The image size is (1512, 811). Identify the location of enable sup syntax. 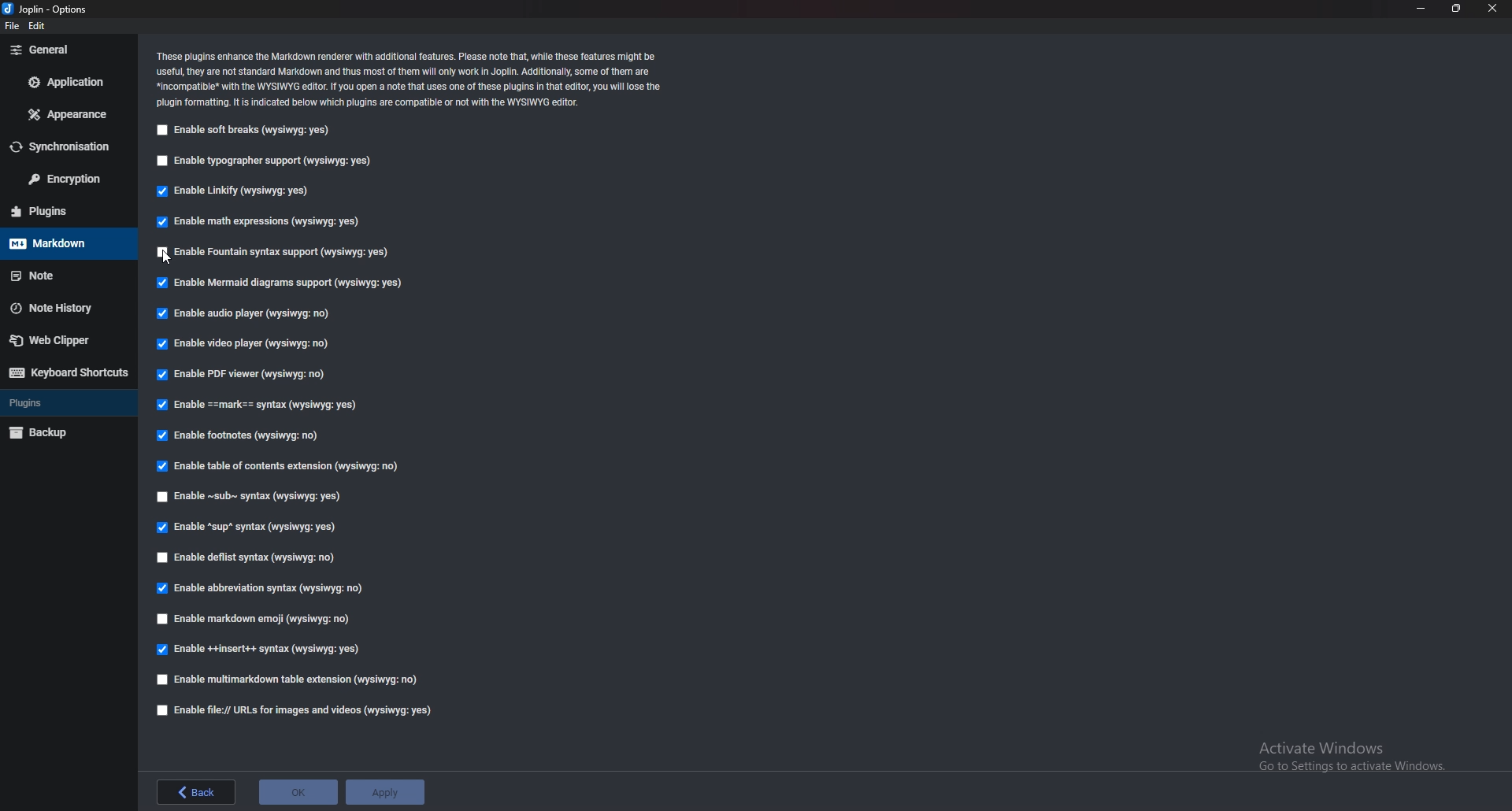
(247, 528).